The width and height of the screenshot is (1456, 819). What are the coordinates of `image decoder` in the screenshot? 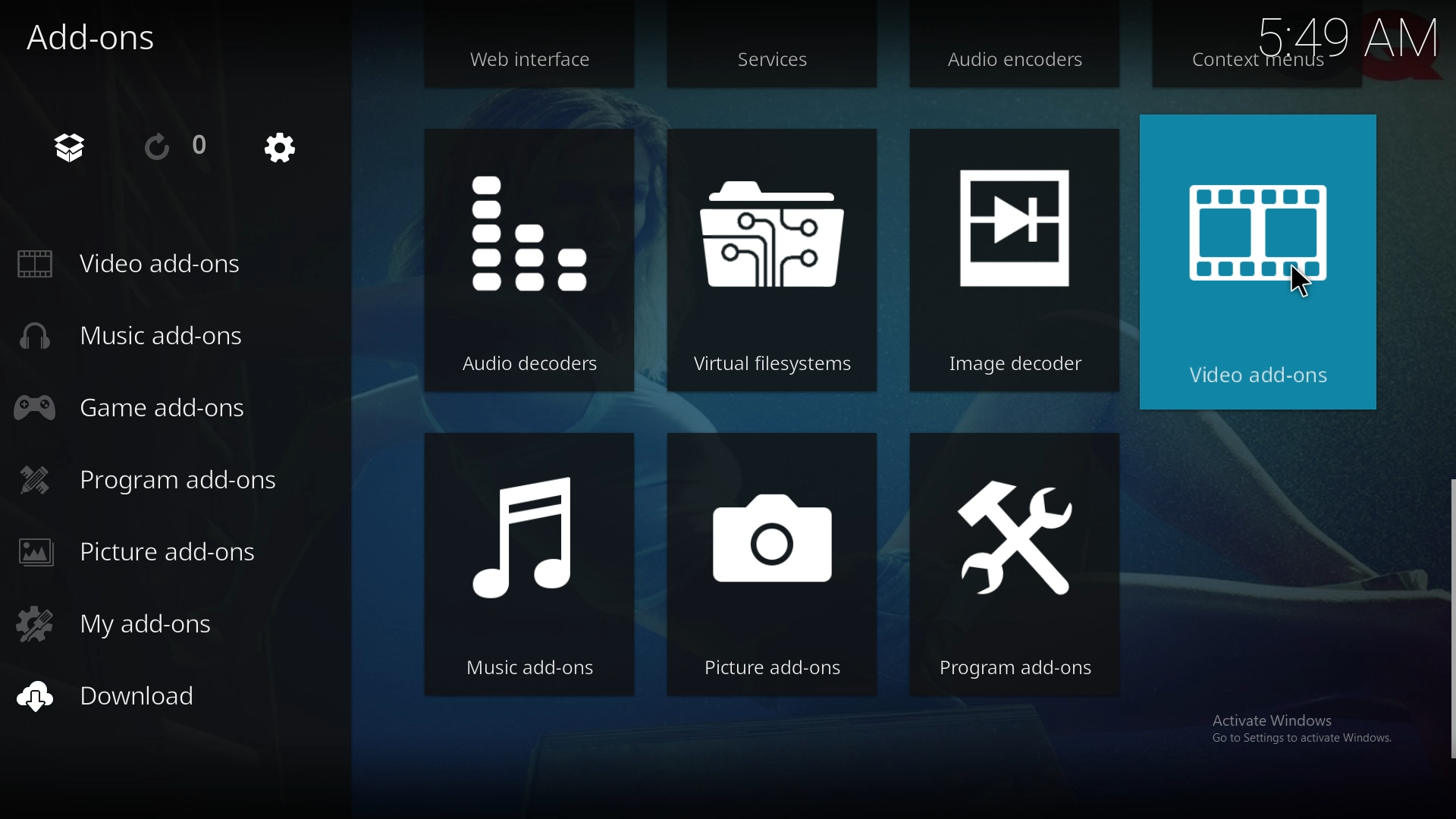 It's located at (1018, 260).